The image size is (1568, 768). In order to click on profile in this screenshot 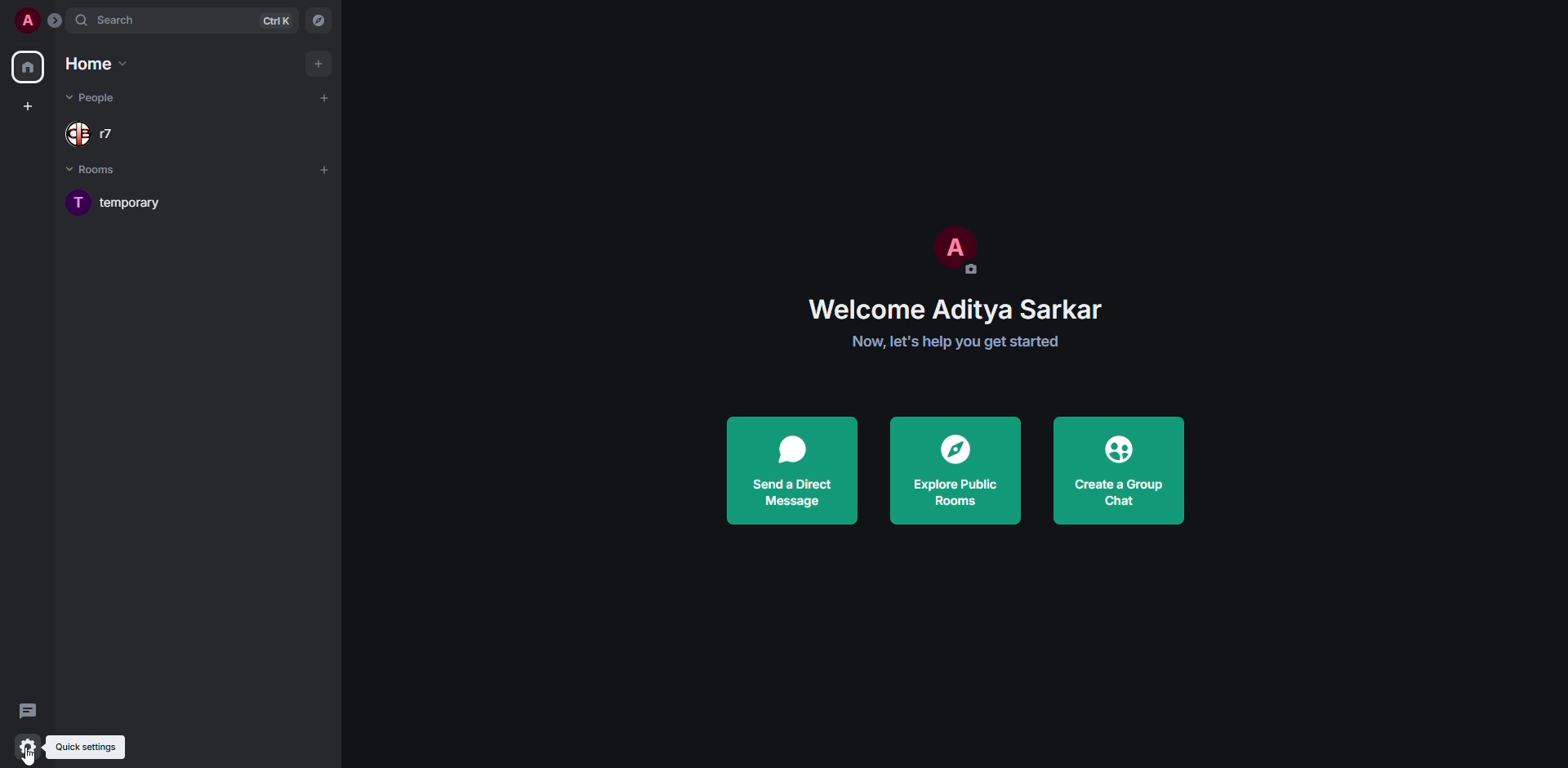, I will do `click(27, 20)`.